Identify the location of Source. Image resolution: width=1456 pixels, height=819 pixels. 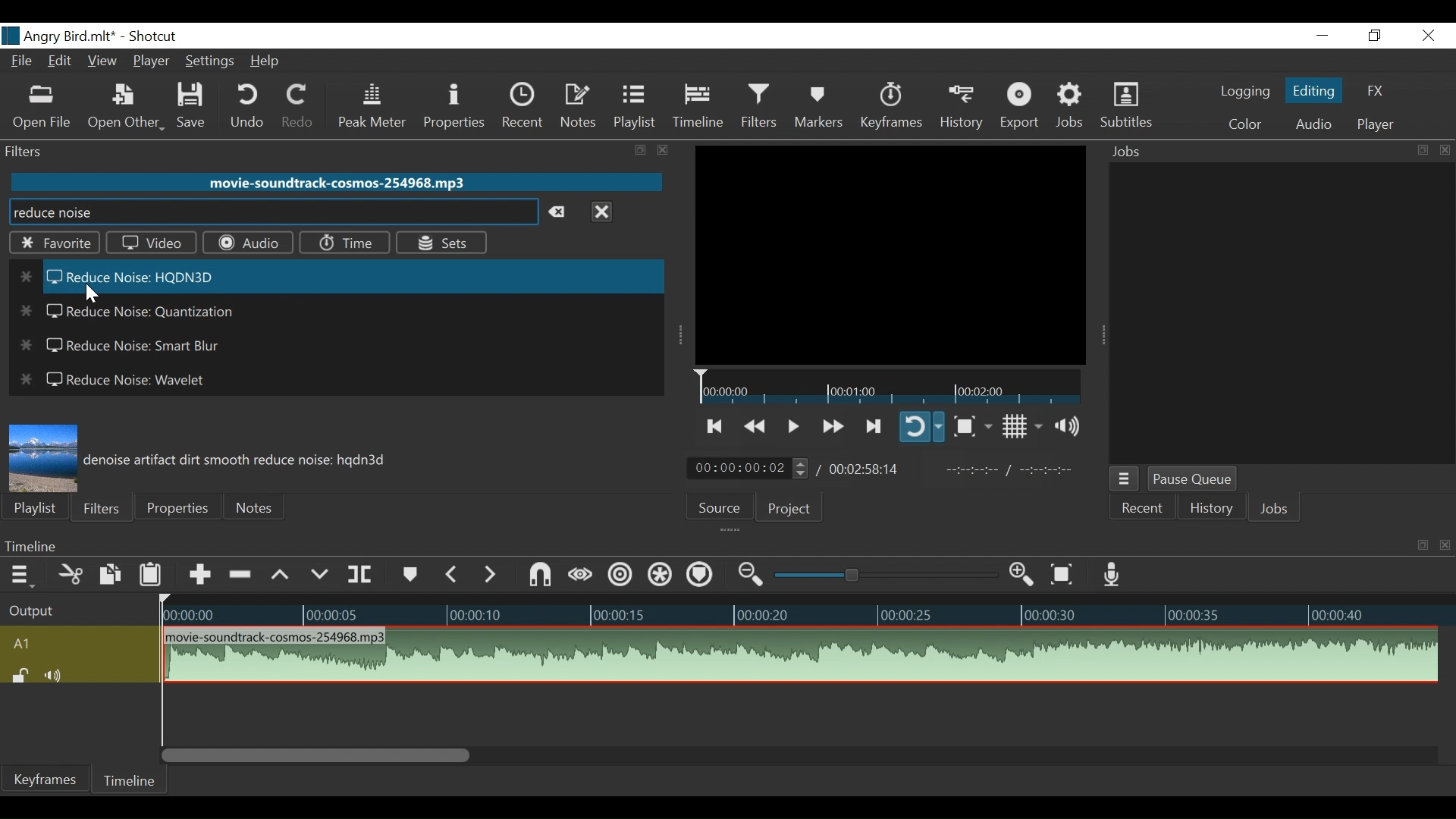
(722, 507).